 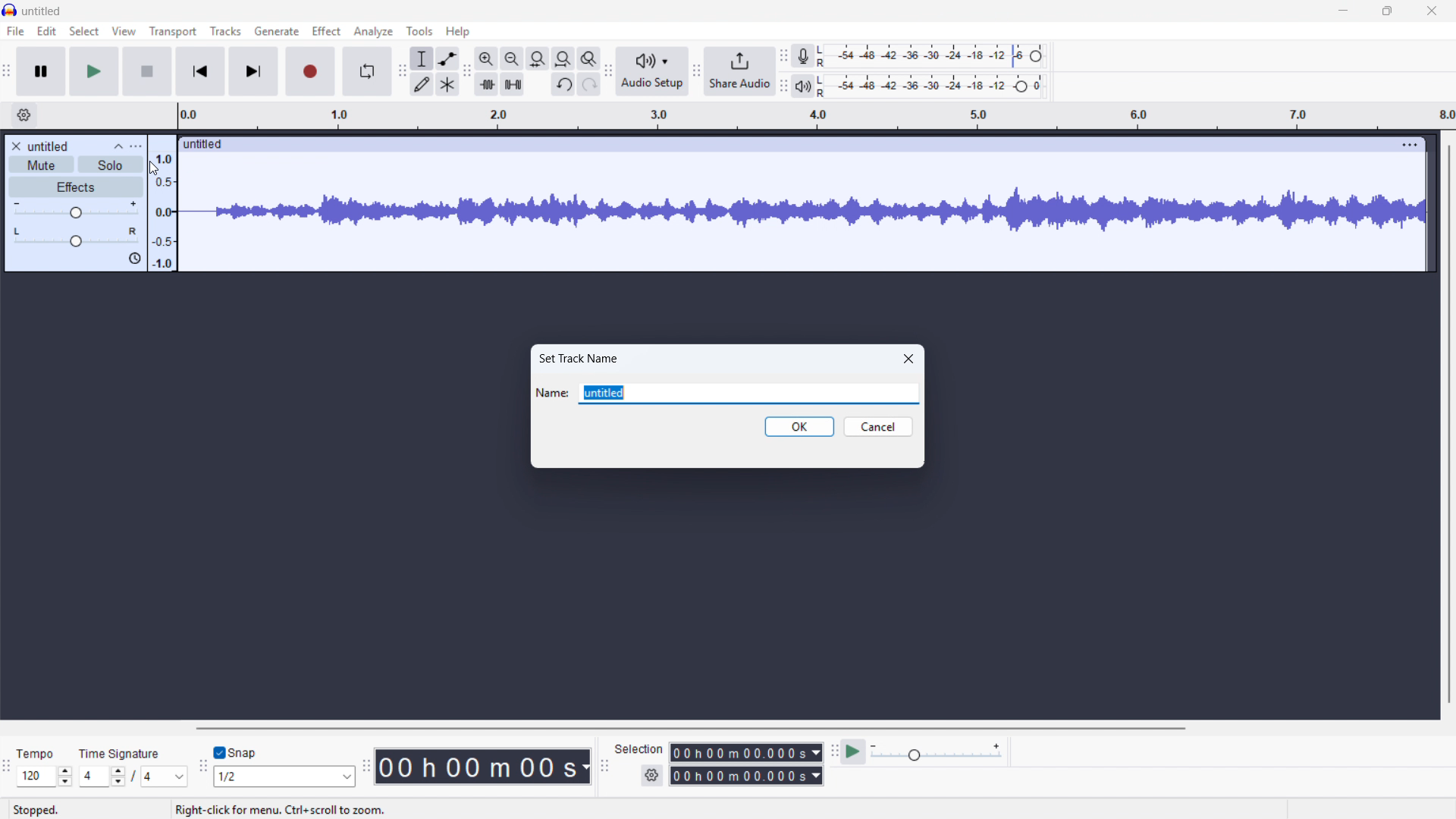 I want to click on cancel , so click(x=878, y=427).